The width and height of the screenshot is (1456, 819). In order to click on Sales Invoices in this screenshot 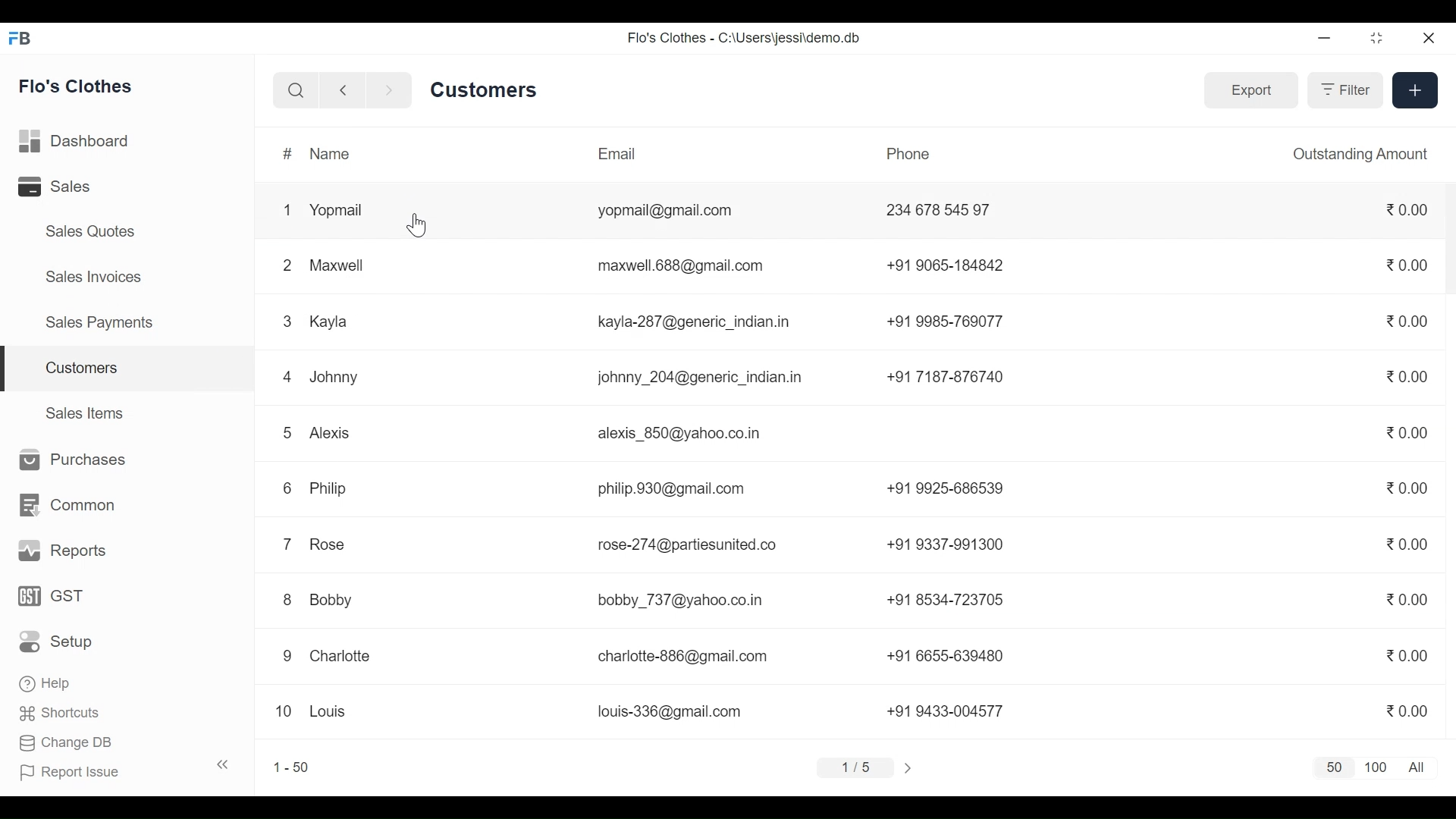, I will do `click(96, 275)`.